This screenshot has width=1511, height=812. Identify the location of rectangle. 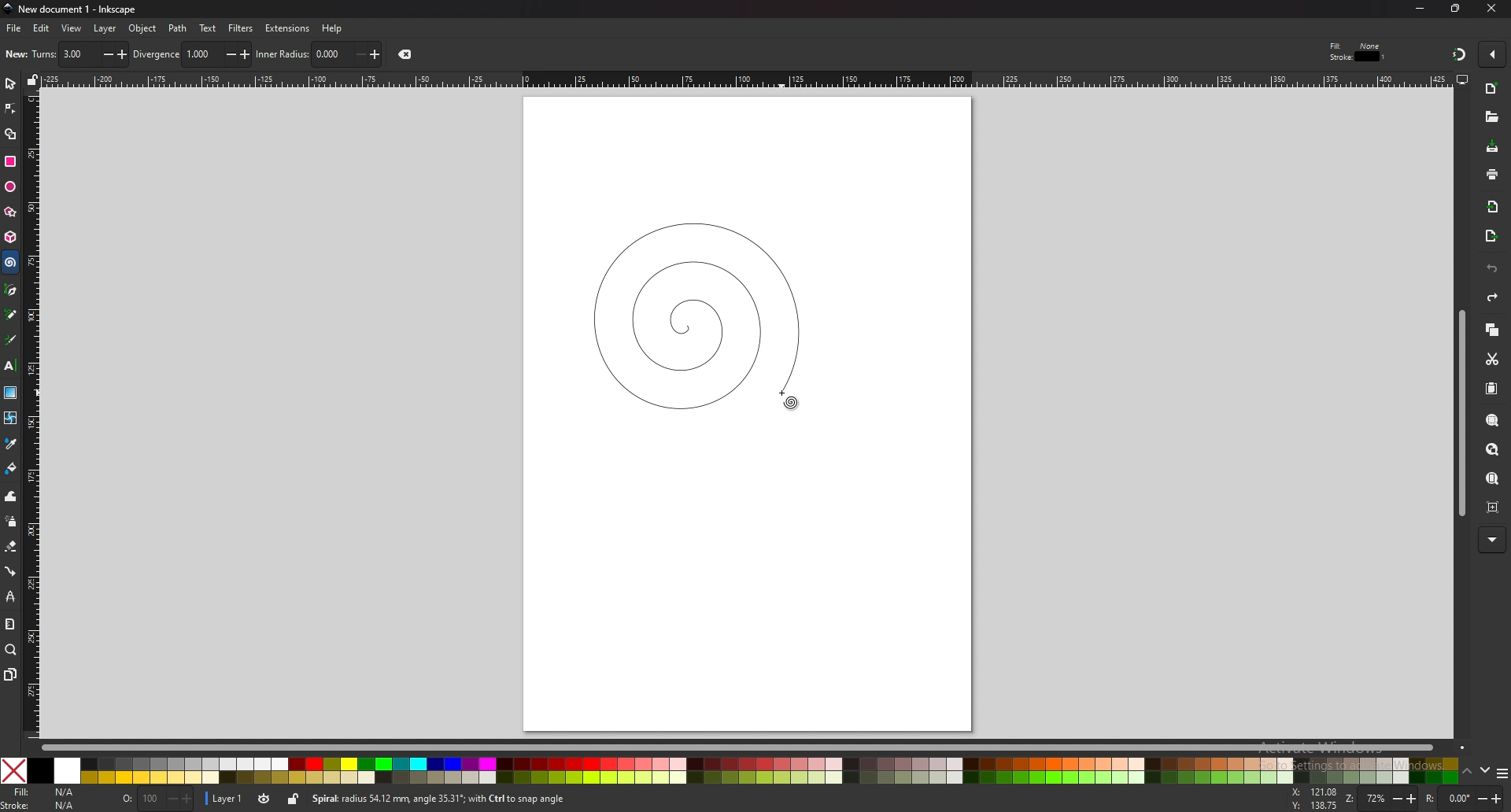
(12, 161).